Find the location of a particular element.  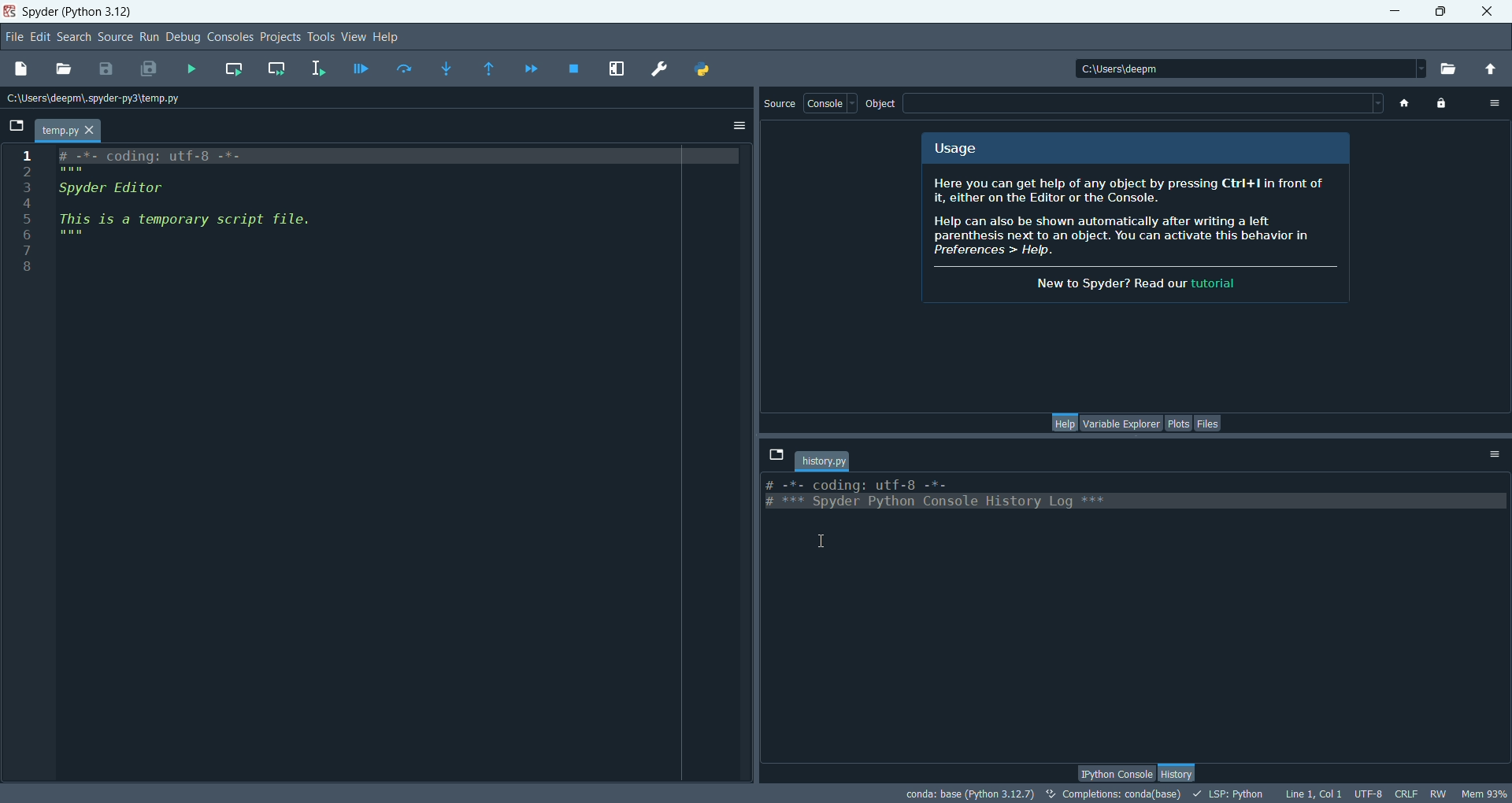

view is located at coordinates (351, 37).